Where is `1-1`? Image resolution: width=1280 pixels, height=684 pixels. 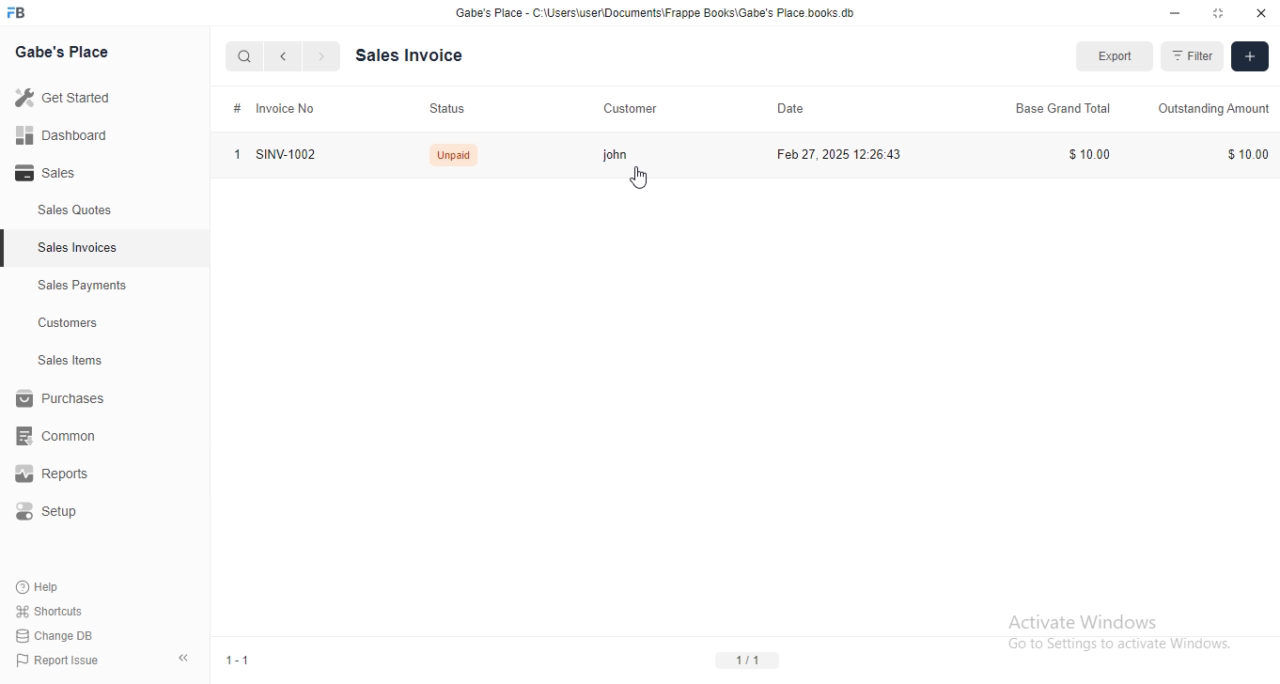 1-1 is located at coordinates (237, 660).